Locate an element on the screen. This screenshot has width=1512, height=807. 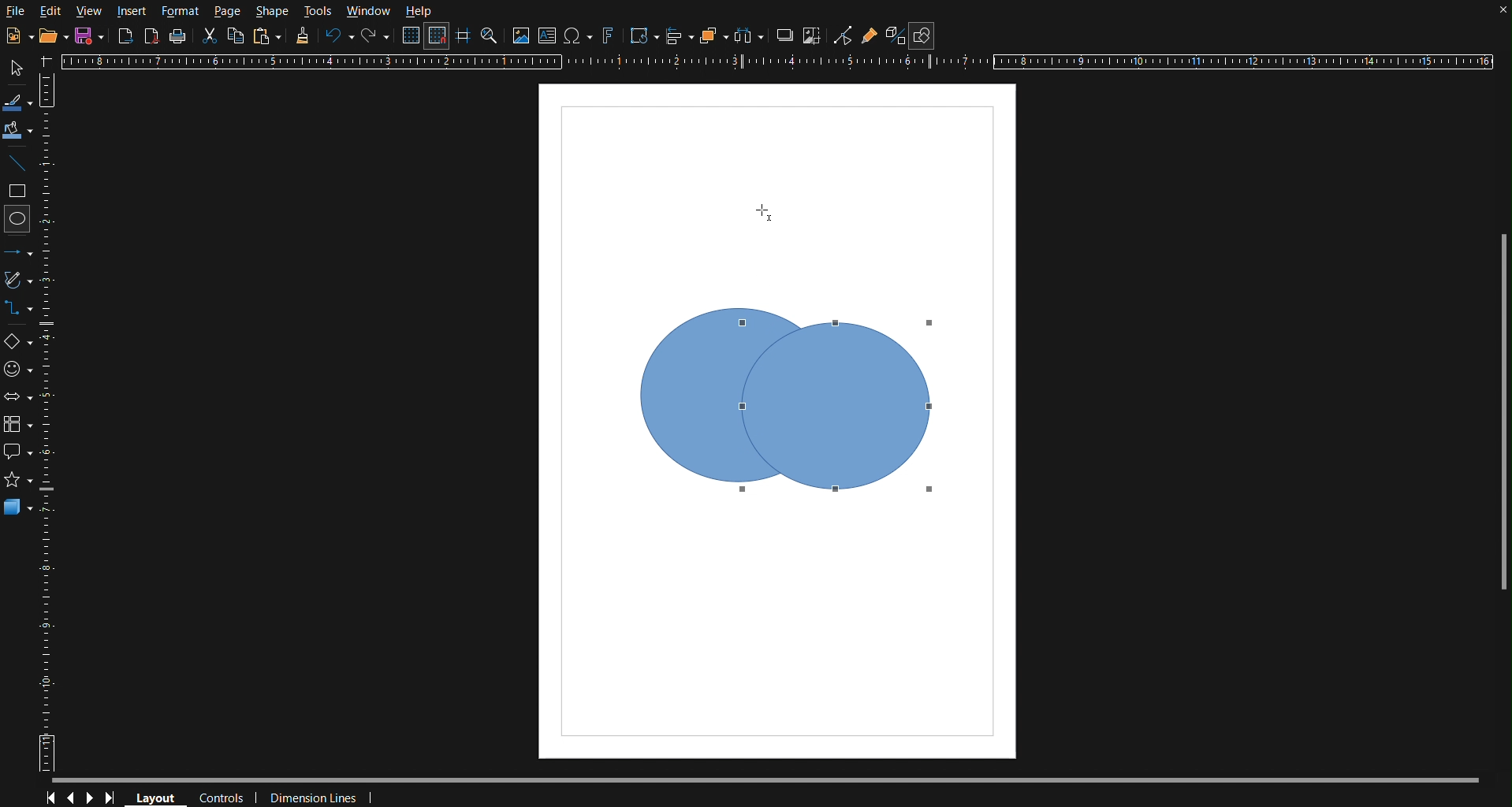
Cursor is located at coordinates (766, 211).